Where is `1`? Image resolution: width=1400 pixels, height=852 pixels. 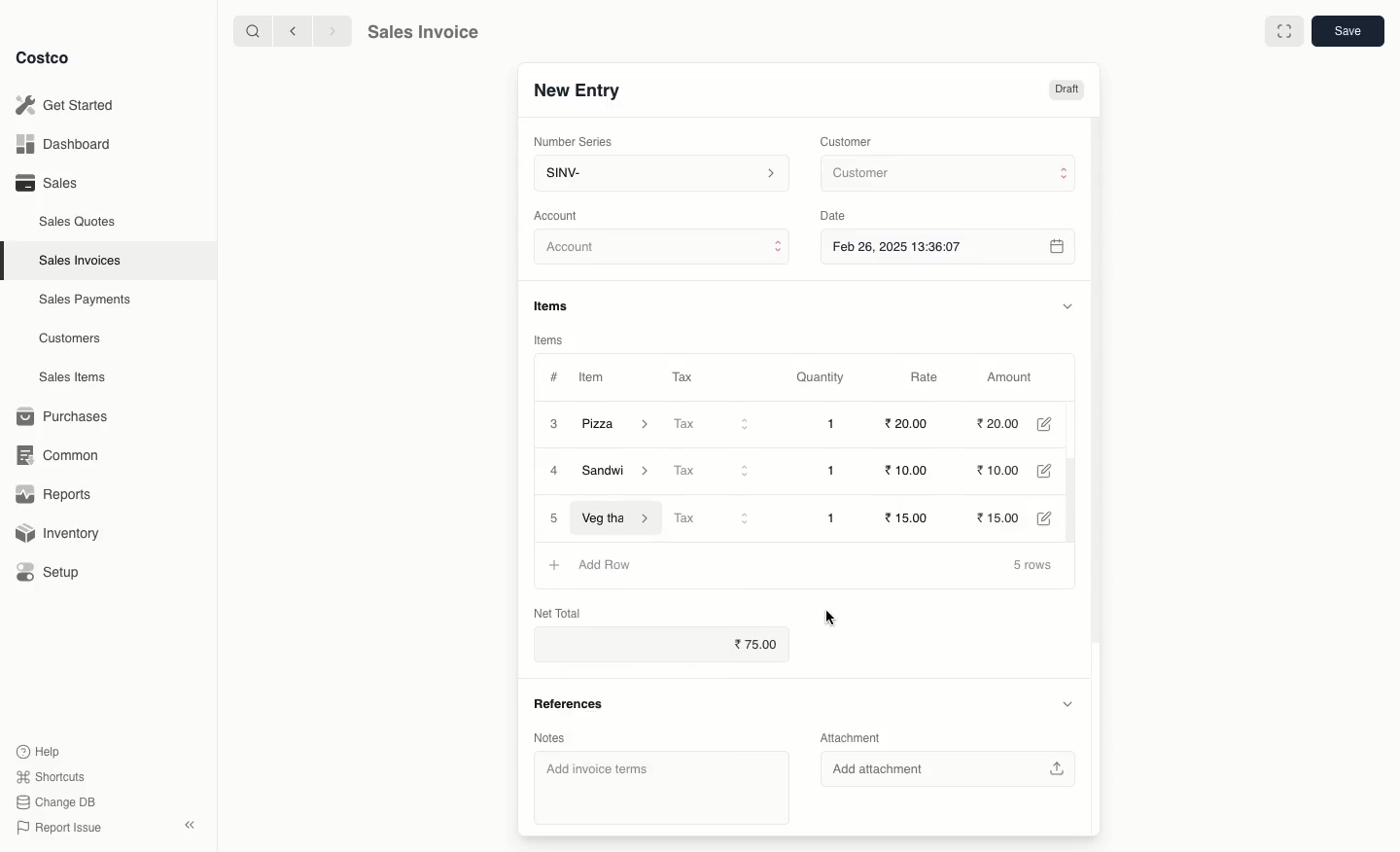
1 is located at coordinates (836, 471).